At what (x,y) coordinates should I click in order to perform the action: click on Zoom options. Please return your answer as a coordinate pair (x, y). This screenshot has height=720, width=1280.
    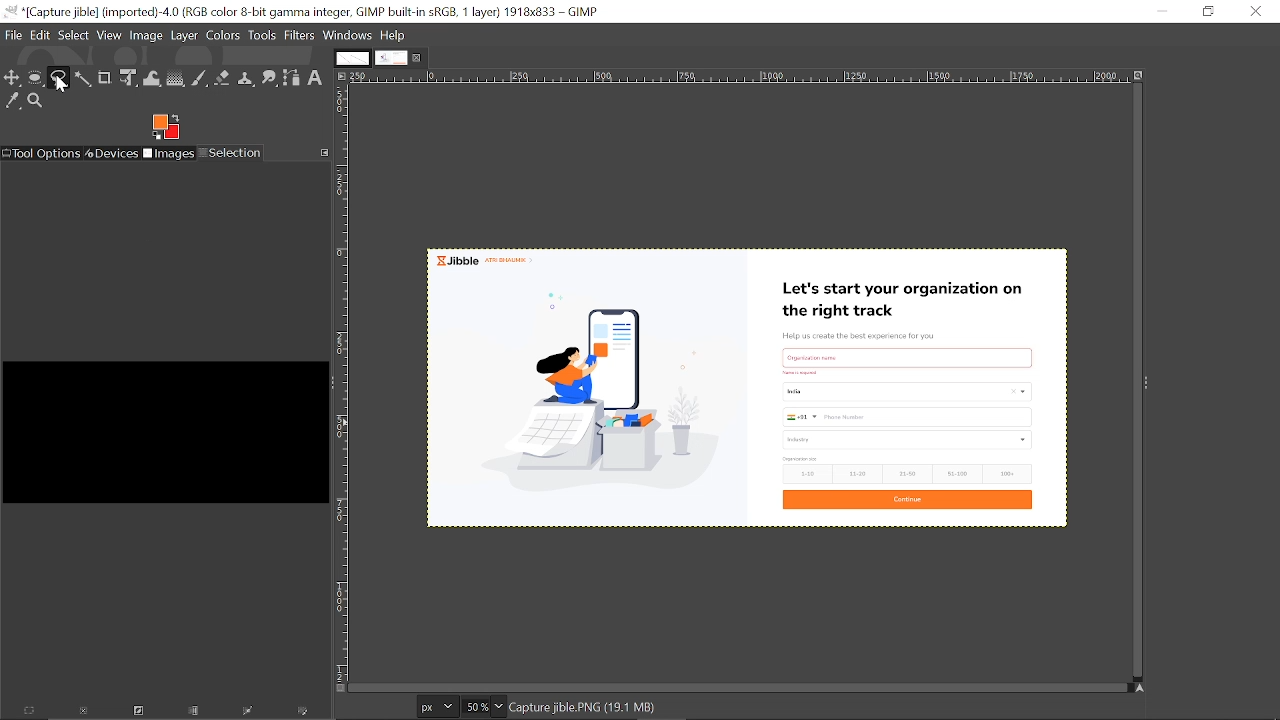
    Looking at the image, I should click on (499, 707).